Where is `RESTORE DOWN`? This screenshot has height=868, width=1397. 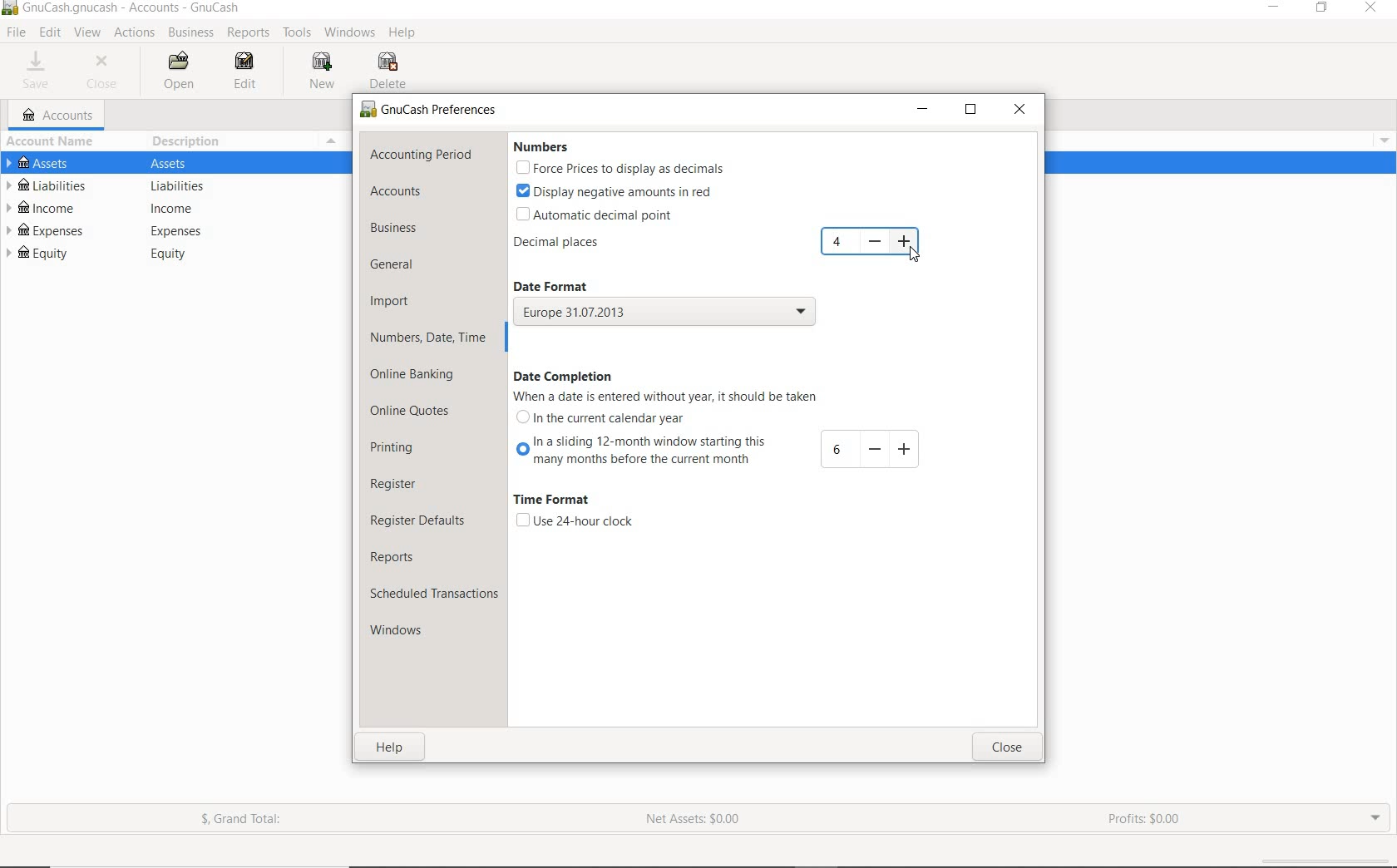
RESTORE DOWN is located at coordinates (1323, 8).